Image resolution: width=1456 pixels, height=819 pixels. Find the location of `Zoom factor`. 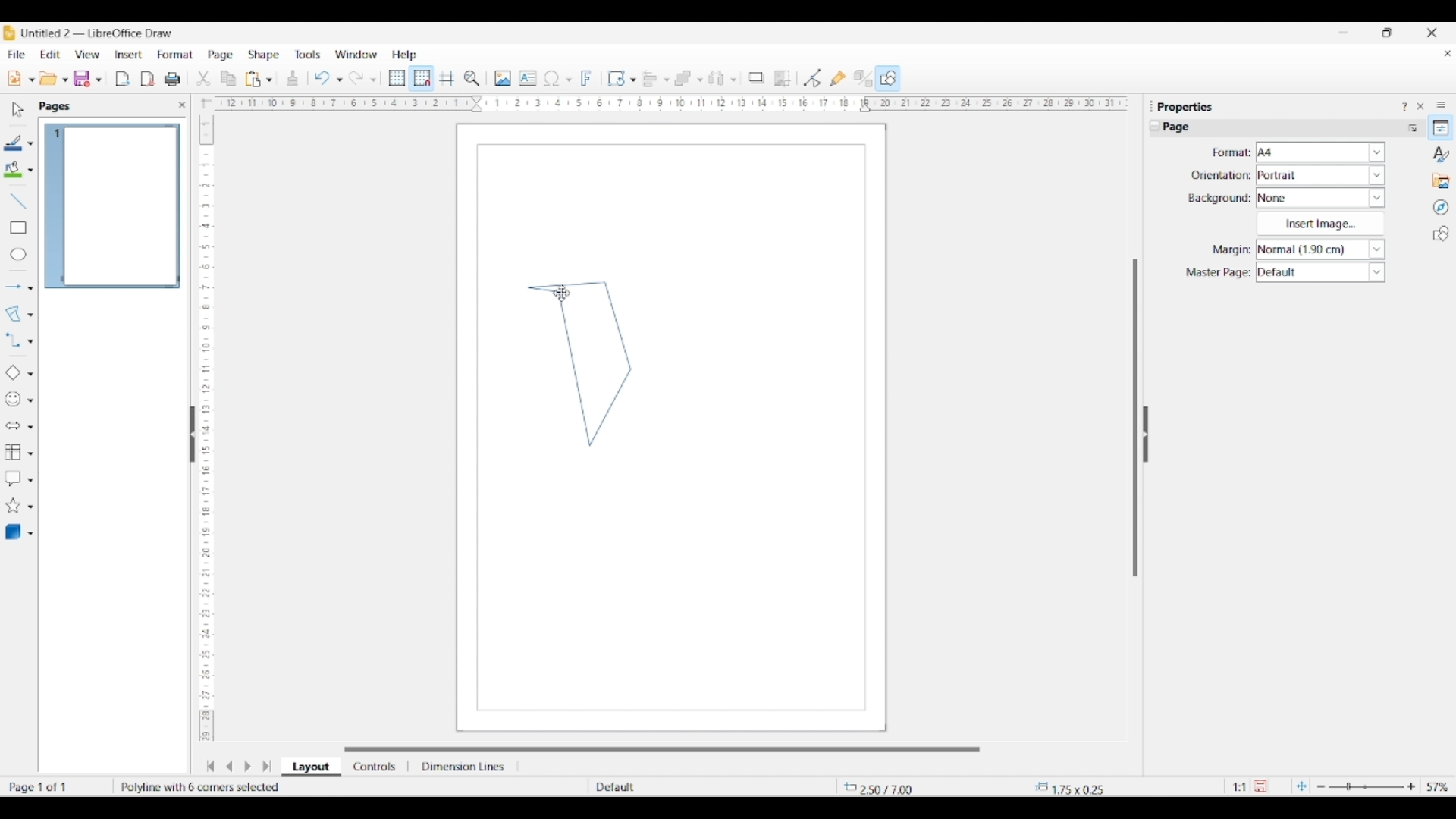

Zoom factor is located at coordinates (1439, 787).